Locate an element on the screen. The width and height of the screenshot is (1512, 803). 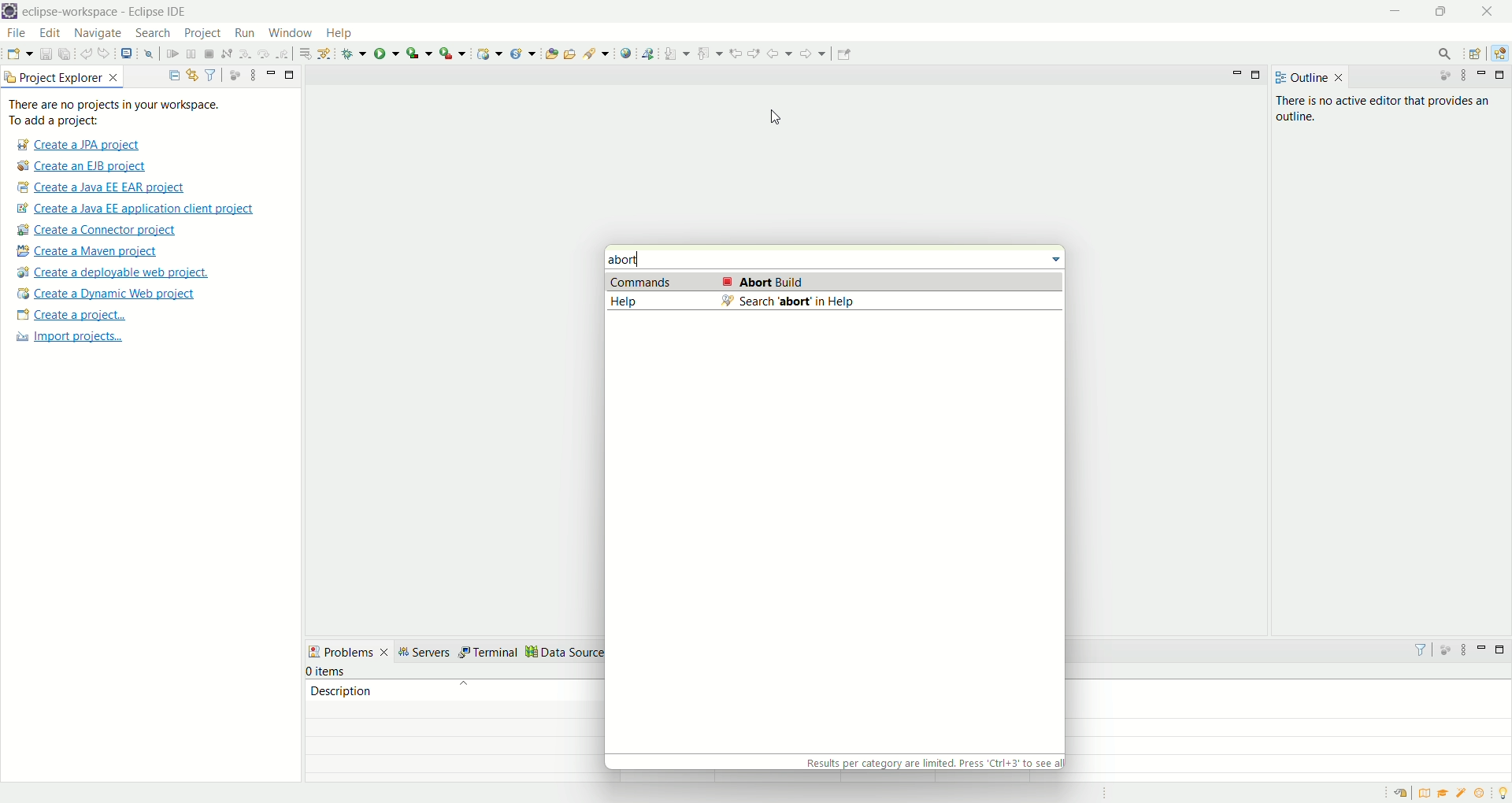
collapse all is located at coordinates (172, 75).